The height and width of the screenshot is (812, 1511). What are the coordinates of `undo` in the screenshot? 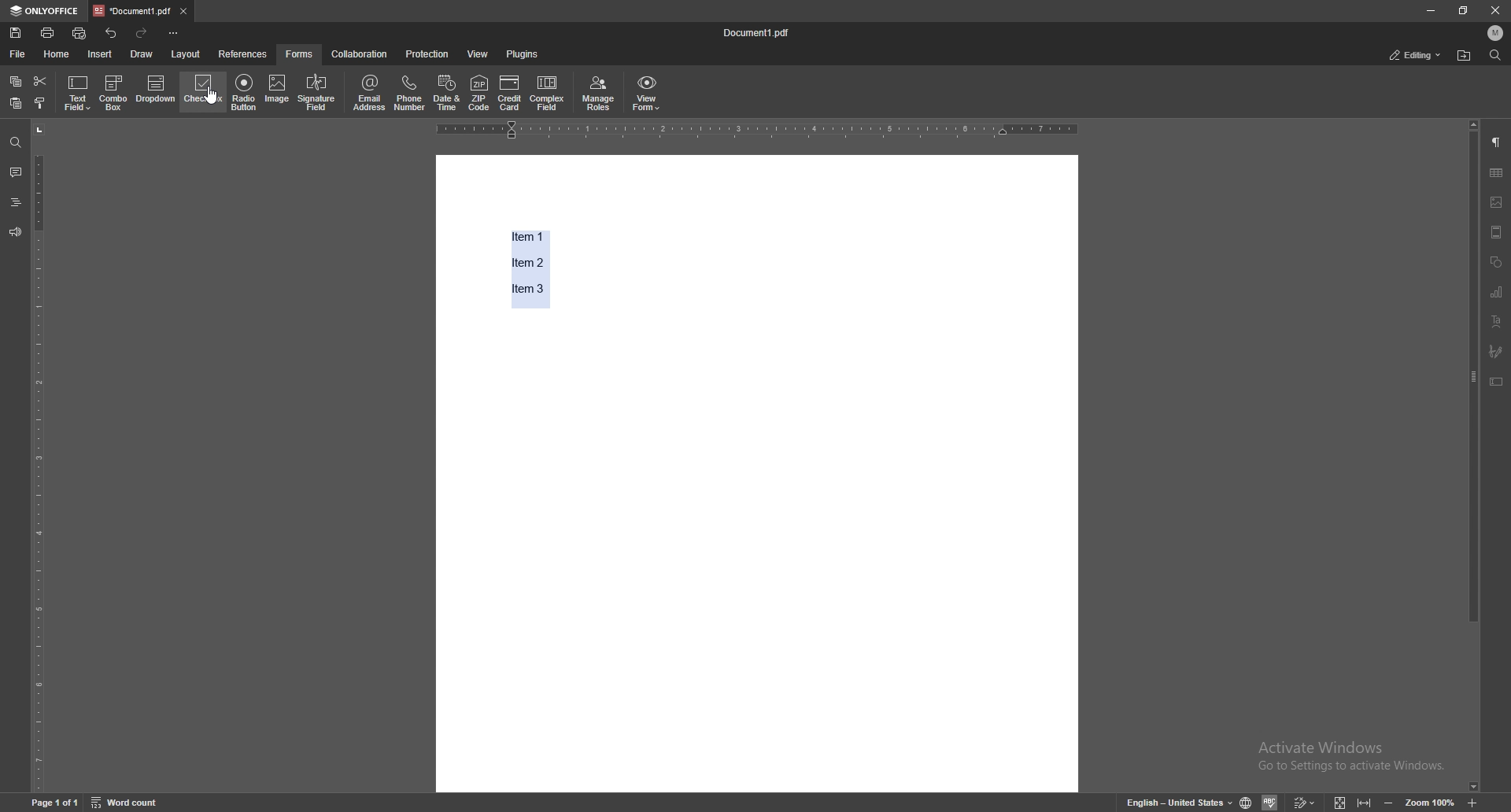 It's located at (111, 32).